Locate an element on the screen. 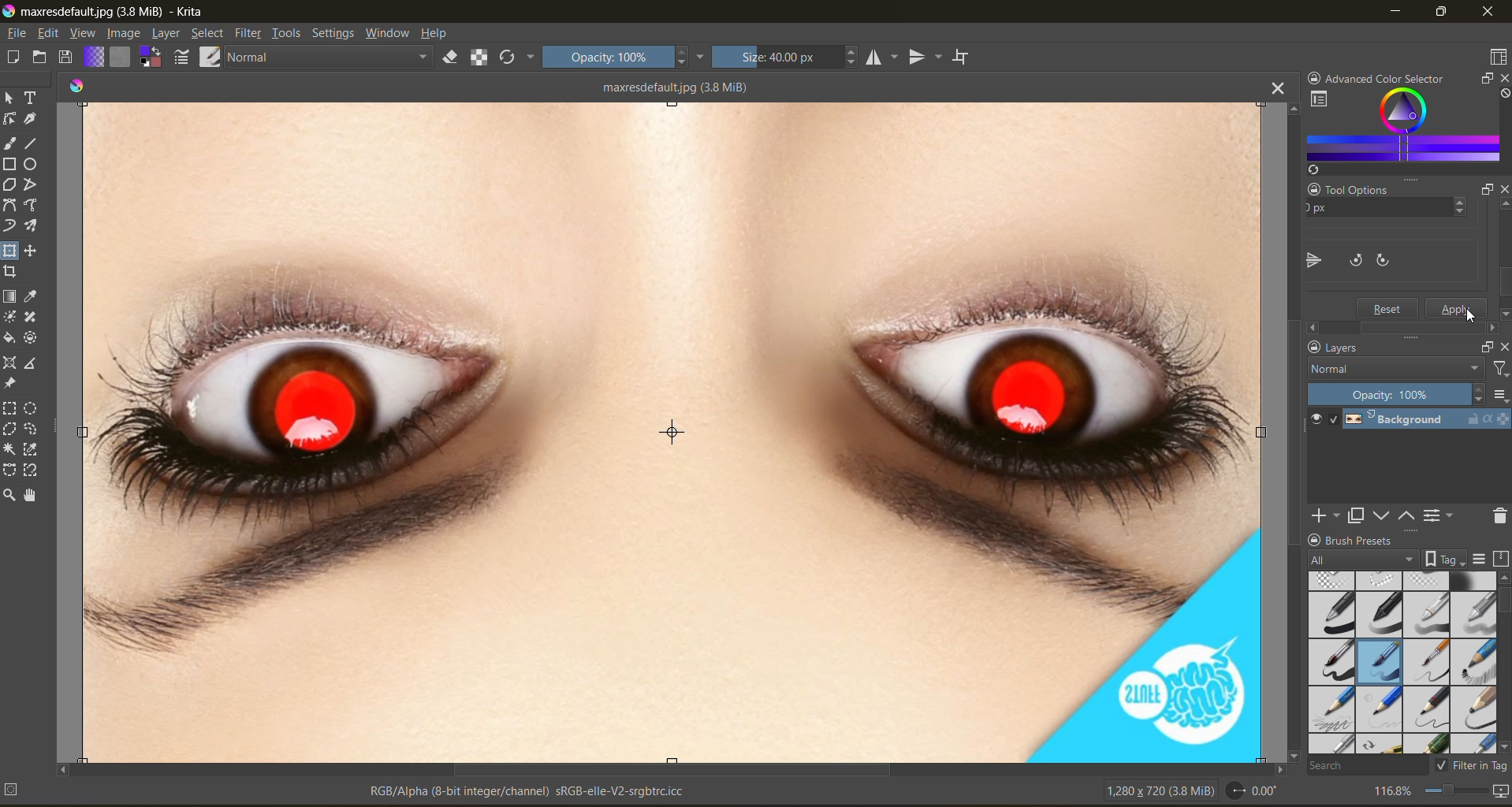  tag is located at coordinates (1360, 561).